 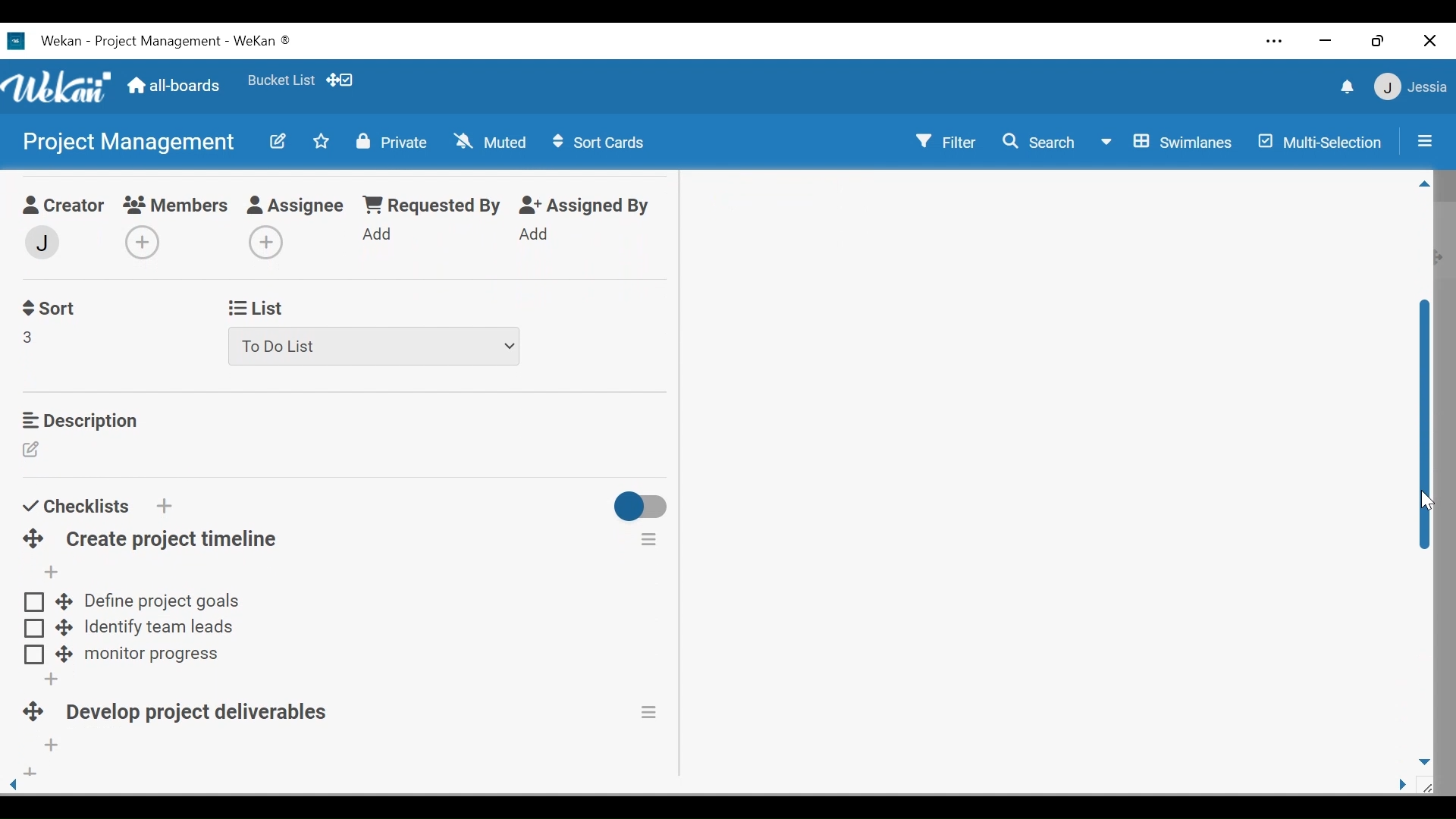 I want to click on Checklists, so click(x=75, y=506).